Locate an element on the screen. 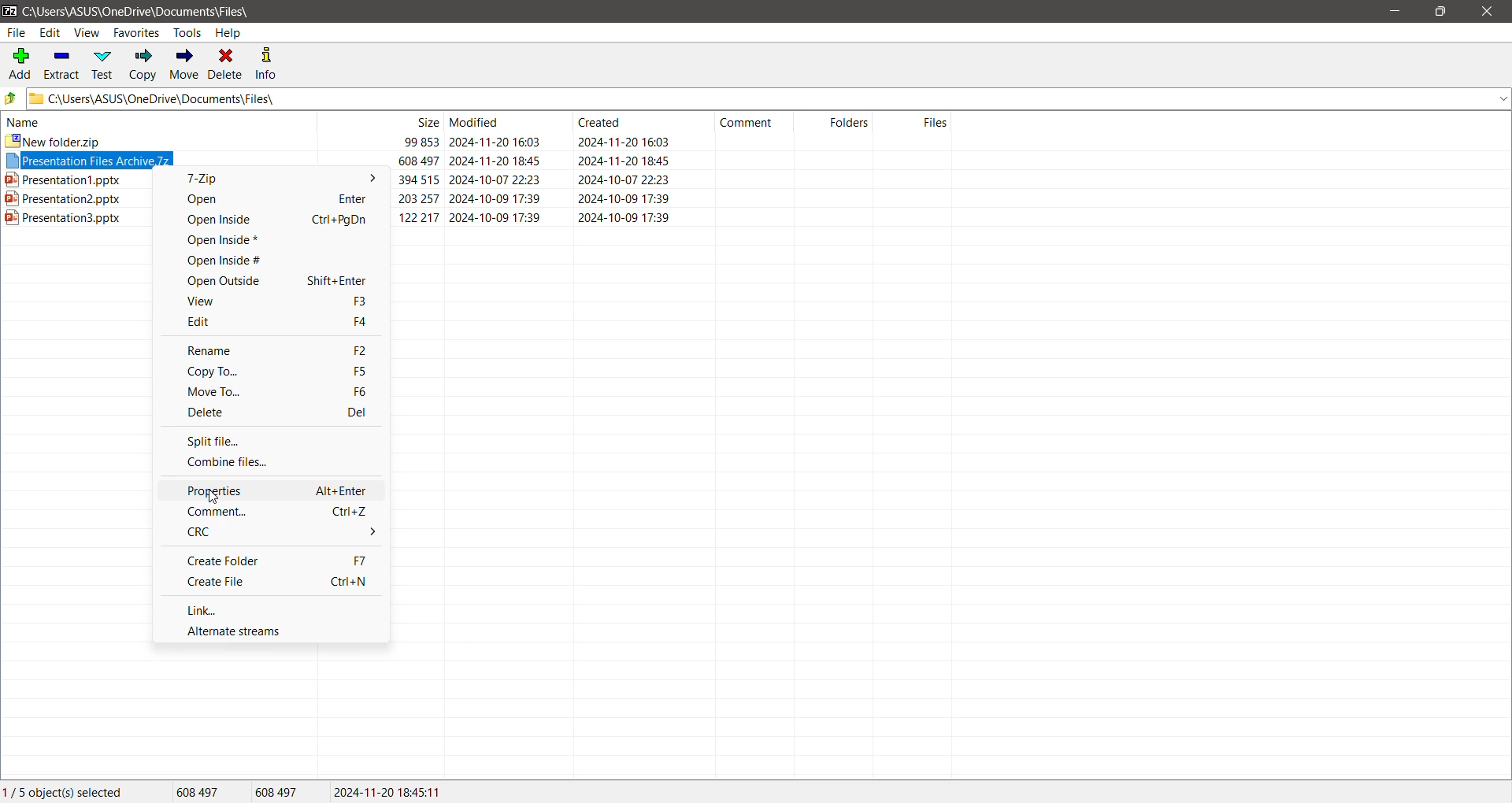  F2 is located at coordinates (355, 349).